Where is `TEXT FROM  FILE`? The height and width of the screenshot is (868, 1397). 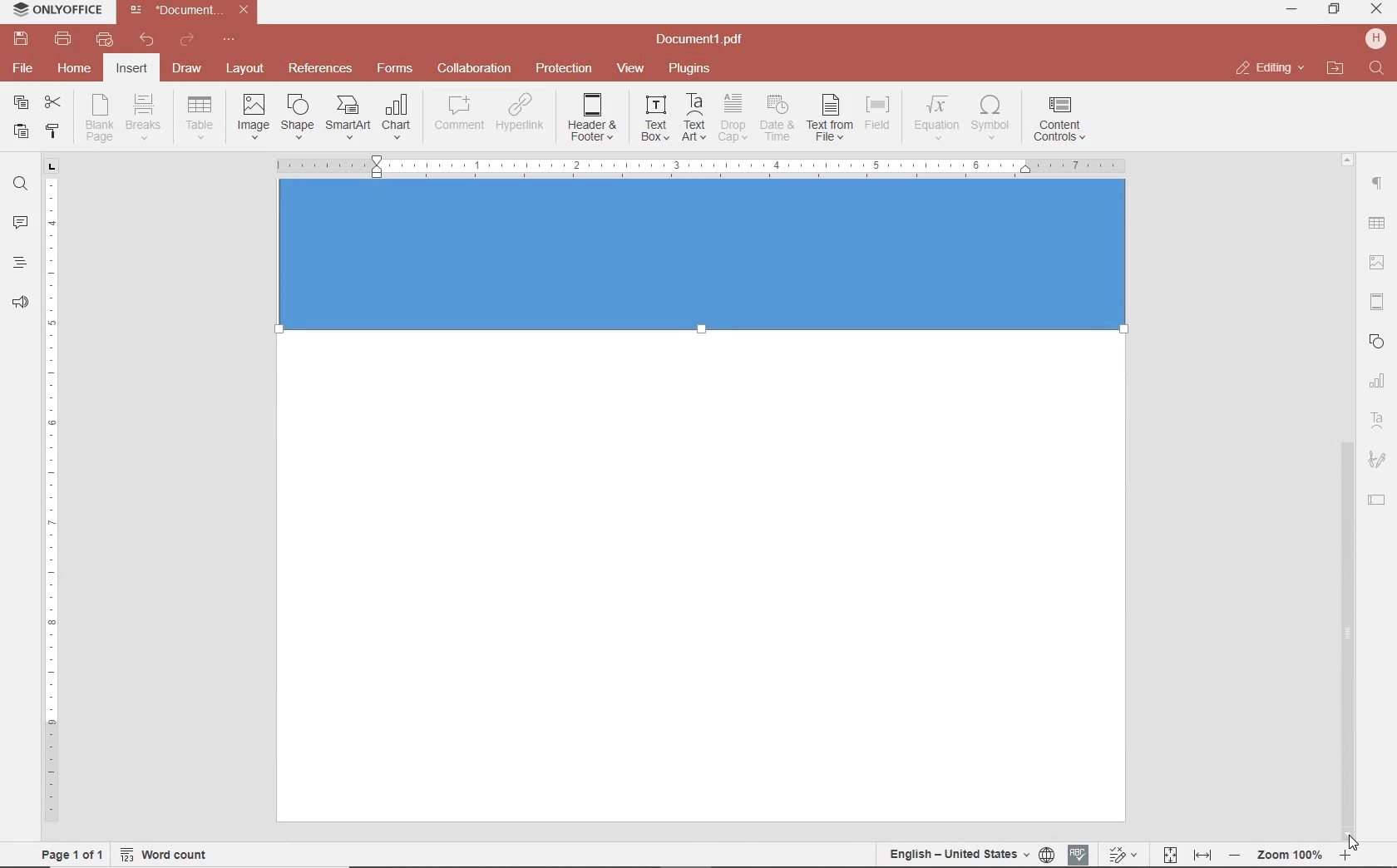
TEXT FROM  FILE is located at coordinates (830, 118).